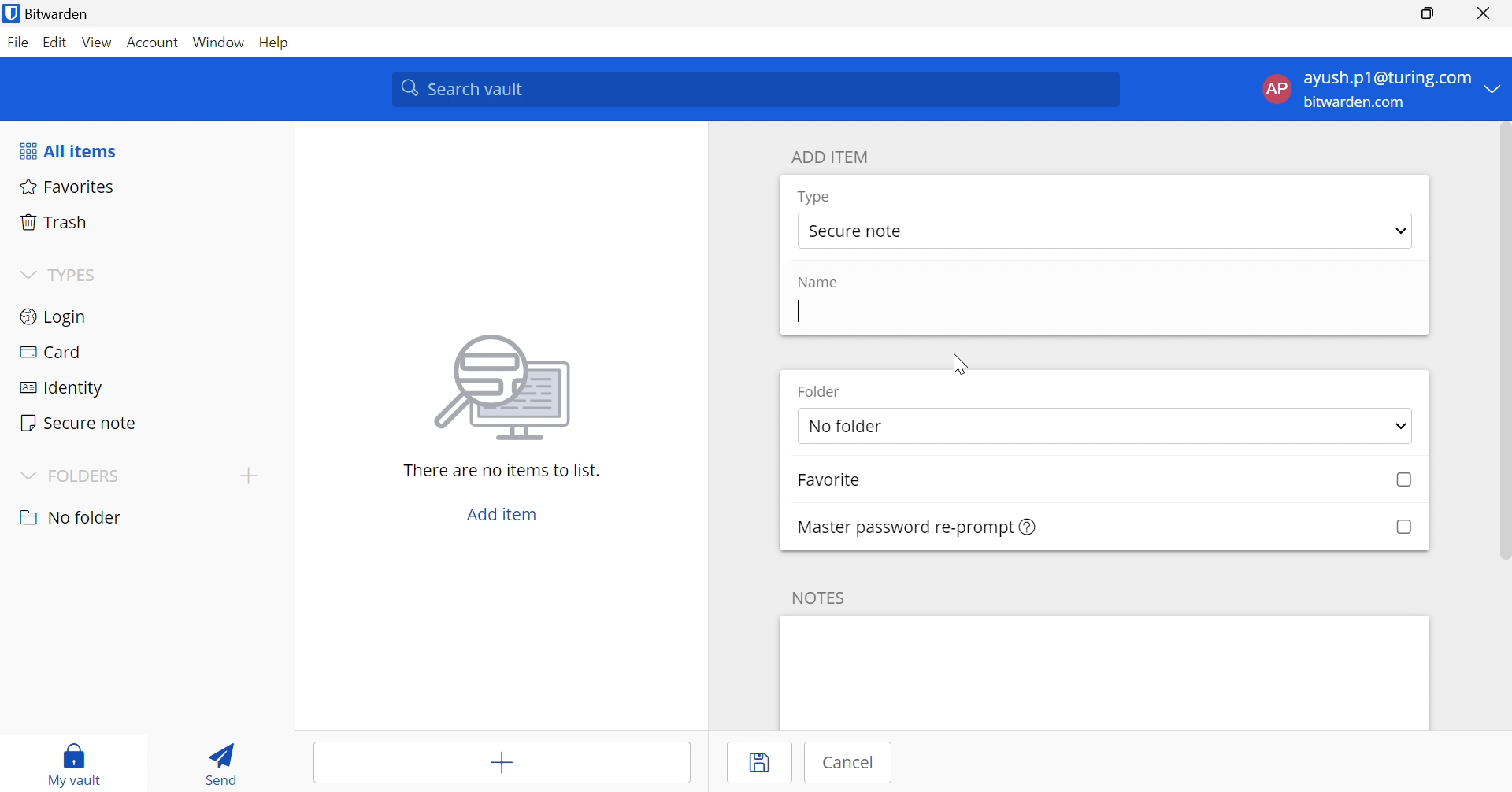  What do you see at coordinates (502, 387) in the screenshot?
I see `image` at bounding box center [502, 387].